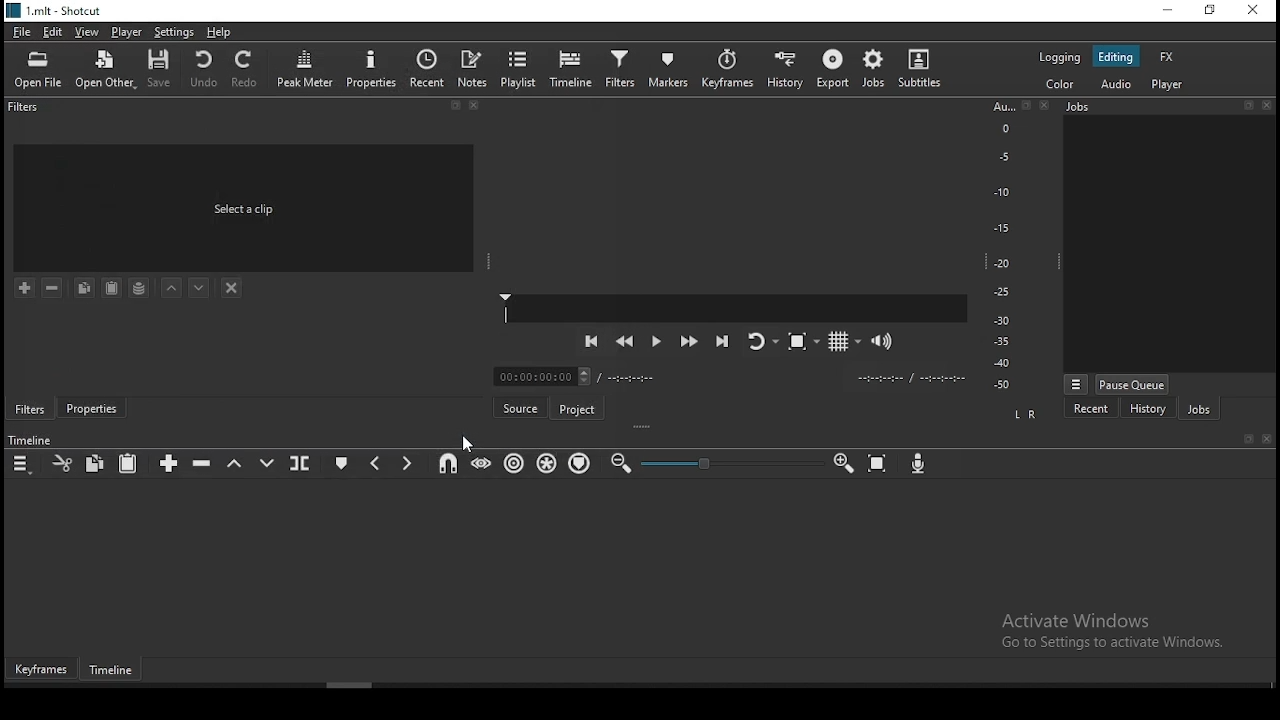 The image size is (1280, 720). I want to click on copy, so click(98, 464).